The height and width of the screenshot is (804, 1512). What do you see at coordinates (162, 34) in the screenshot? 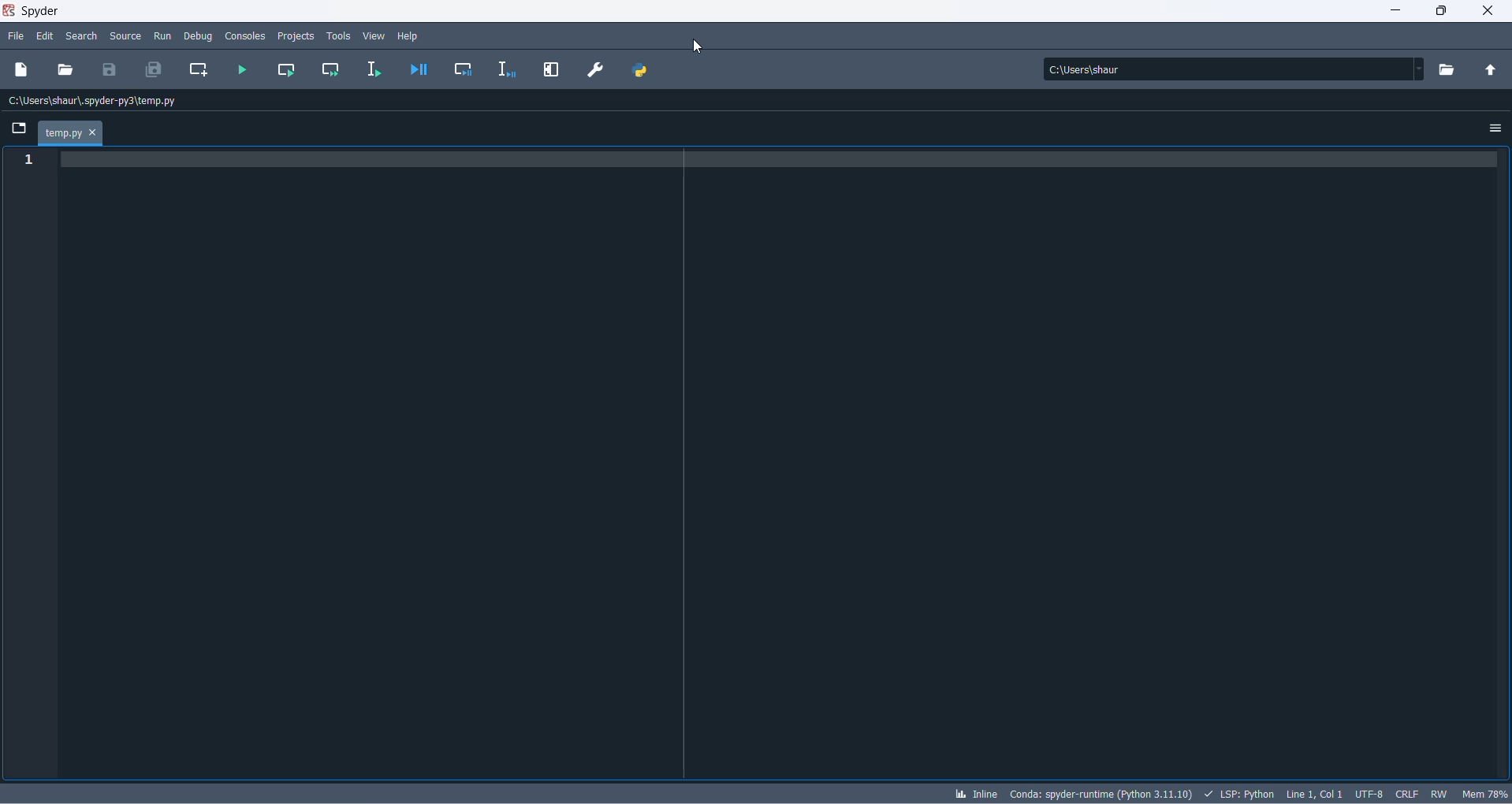
I see `run` at bounding box center [162, 34].